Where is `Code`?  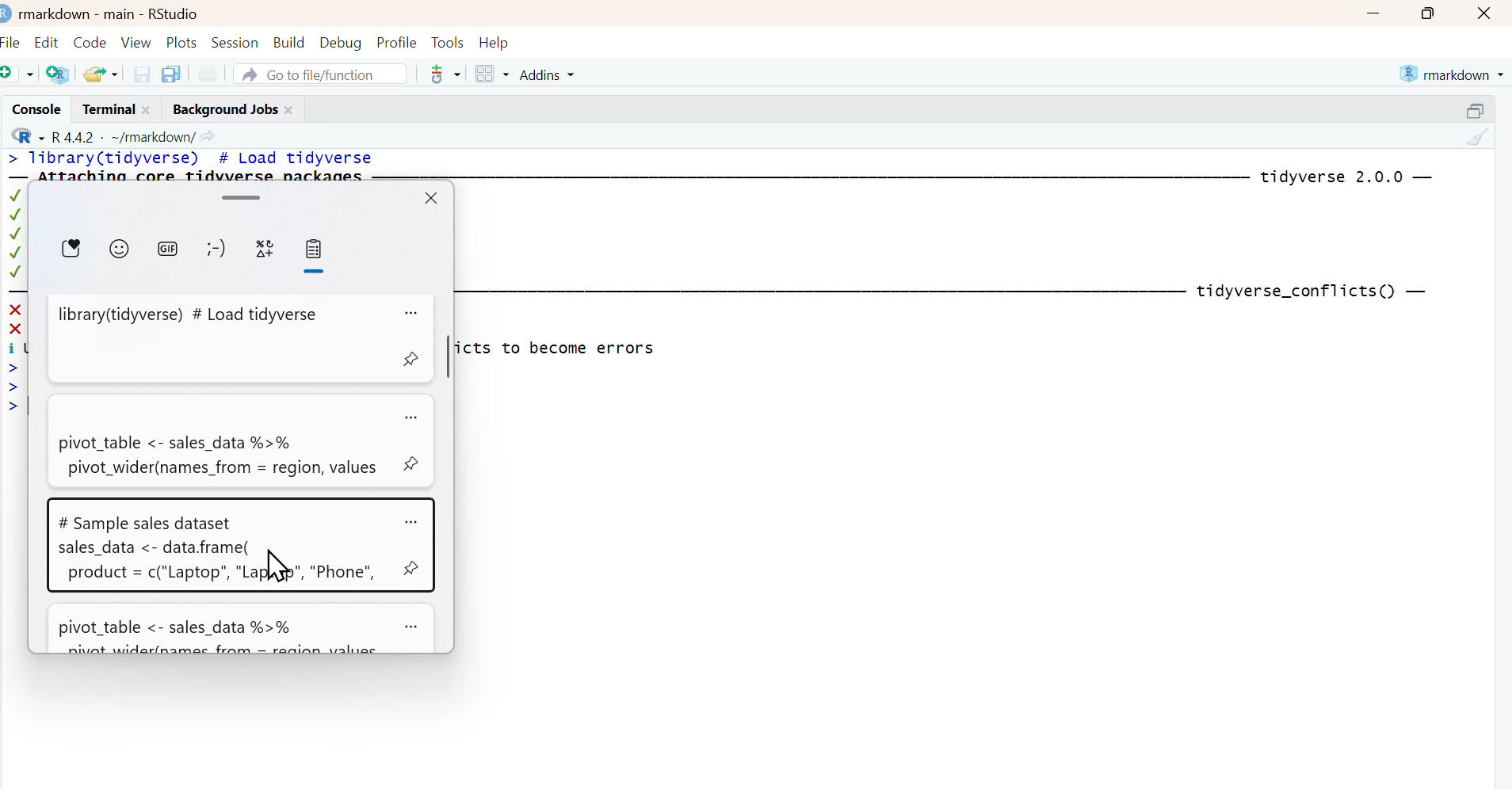 Code is located at coordinates (90, 38).